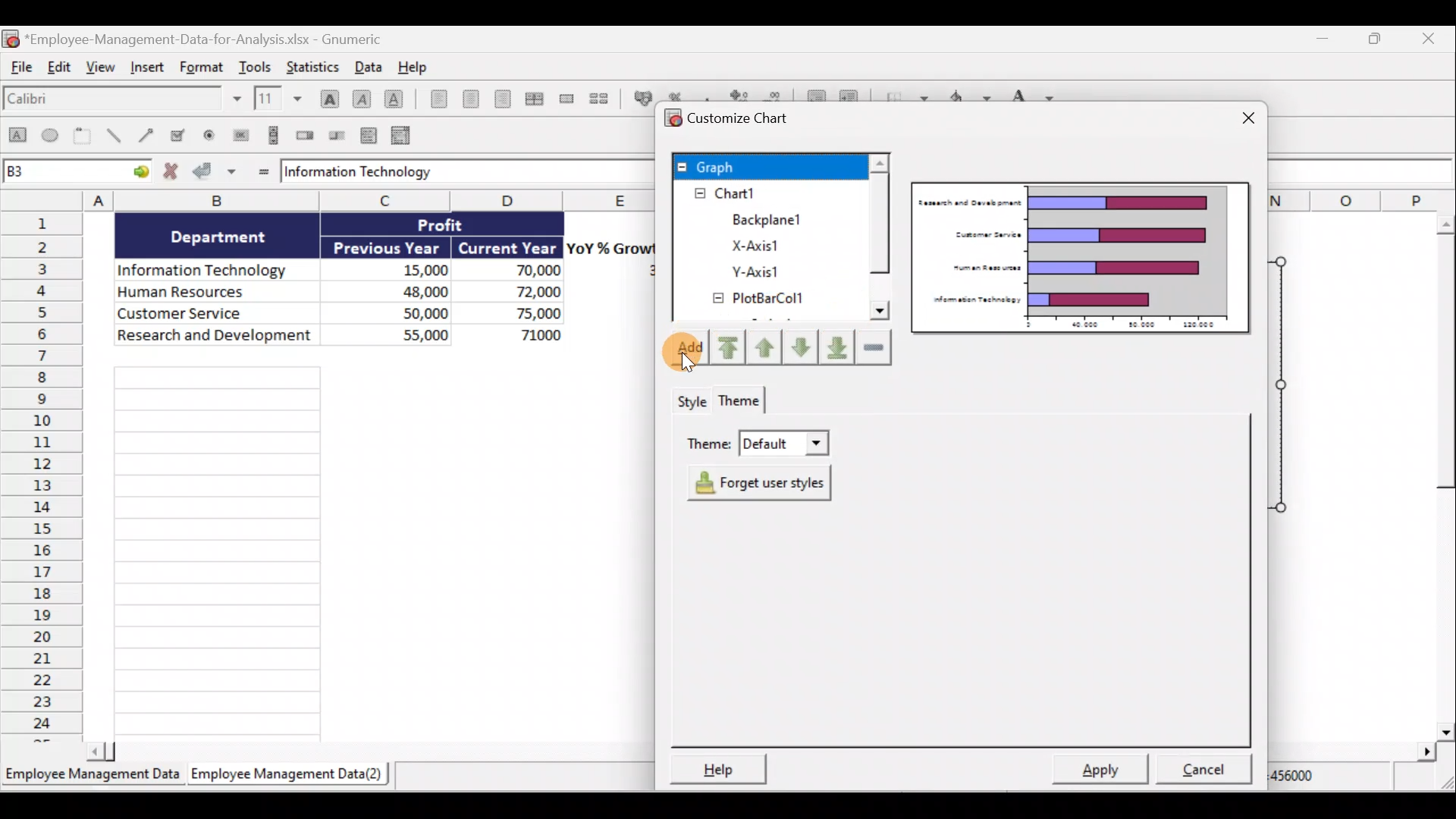  I want to click on Centre horizontally, so click(472, 101).